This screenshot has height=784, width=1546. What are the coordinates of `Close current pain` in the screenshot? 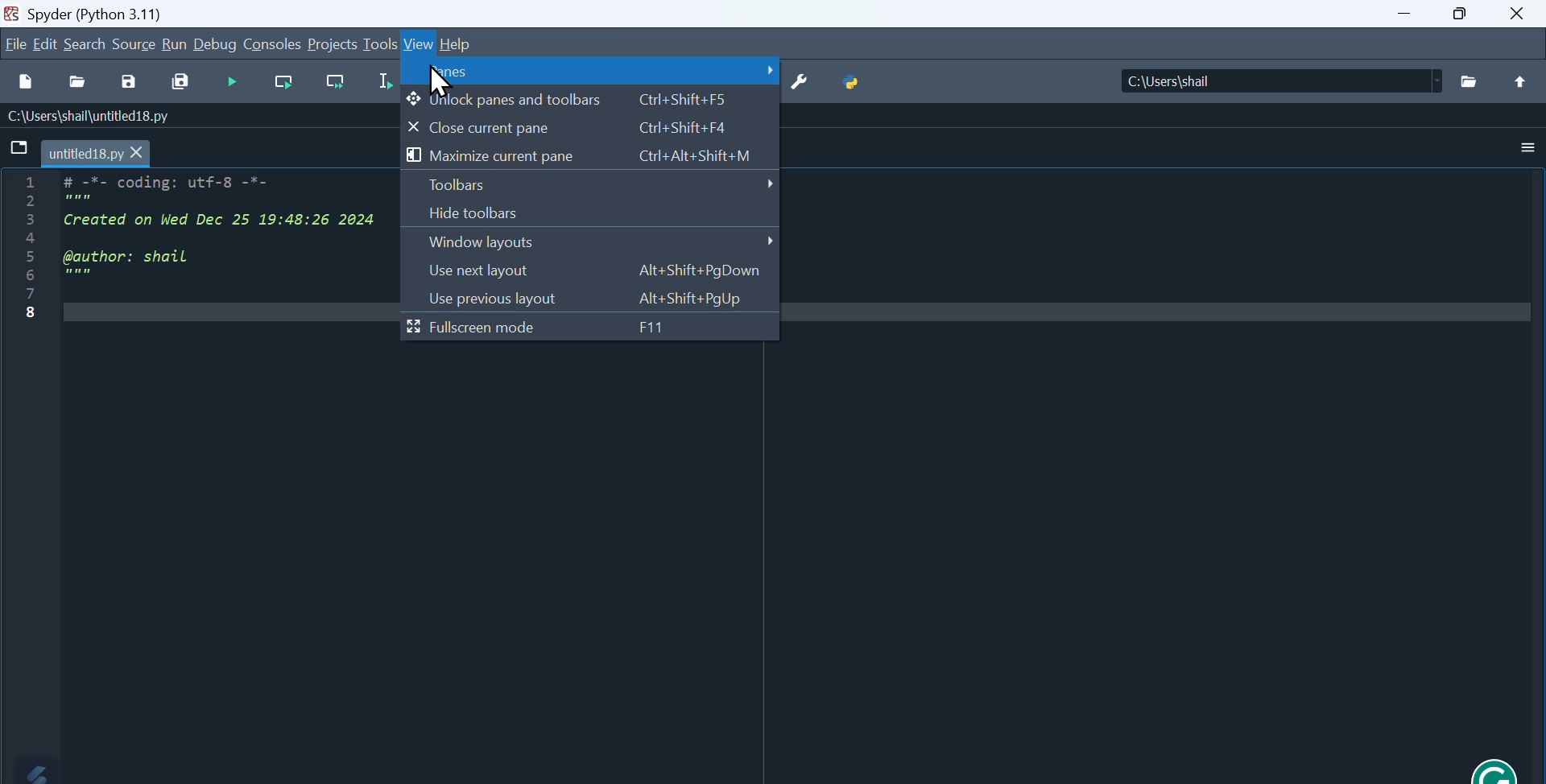 It's located at (576, 127).